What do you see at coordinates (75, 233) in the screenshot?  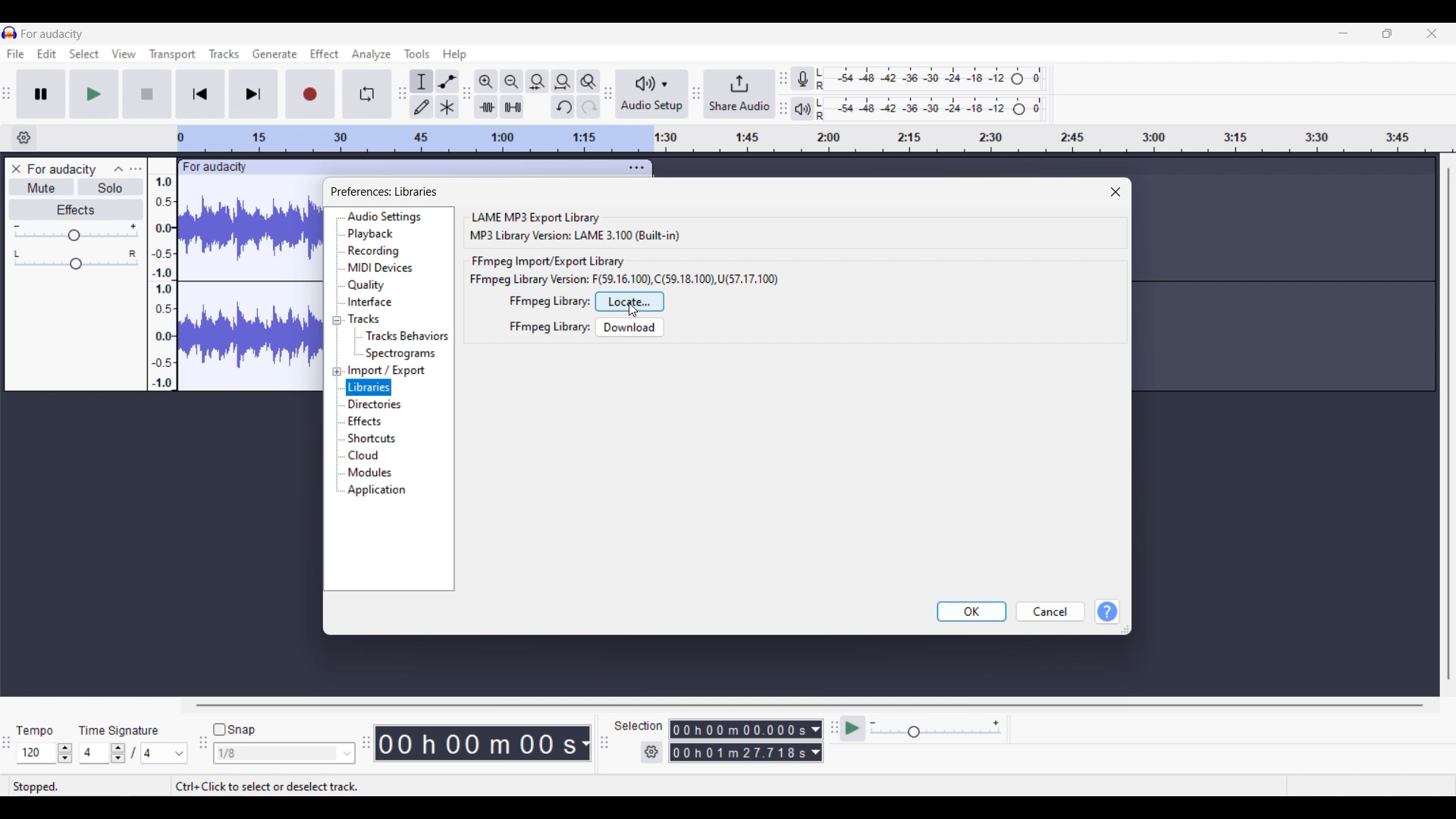 I see `Volume slider` at bounding box center [75, 233].